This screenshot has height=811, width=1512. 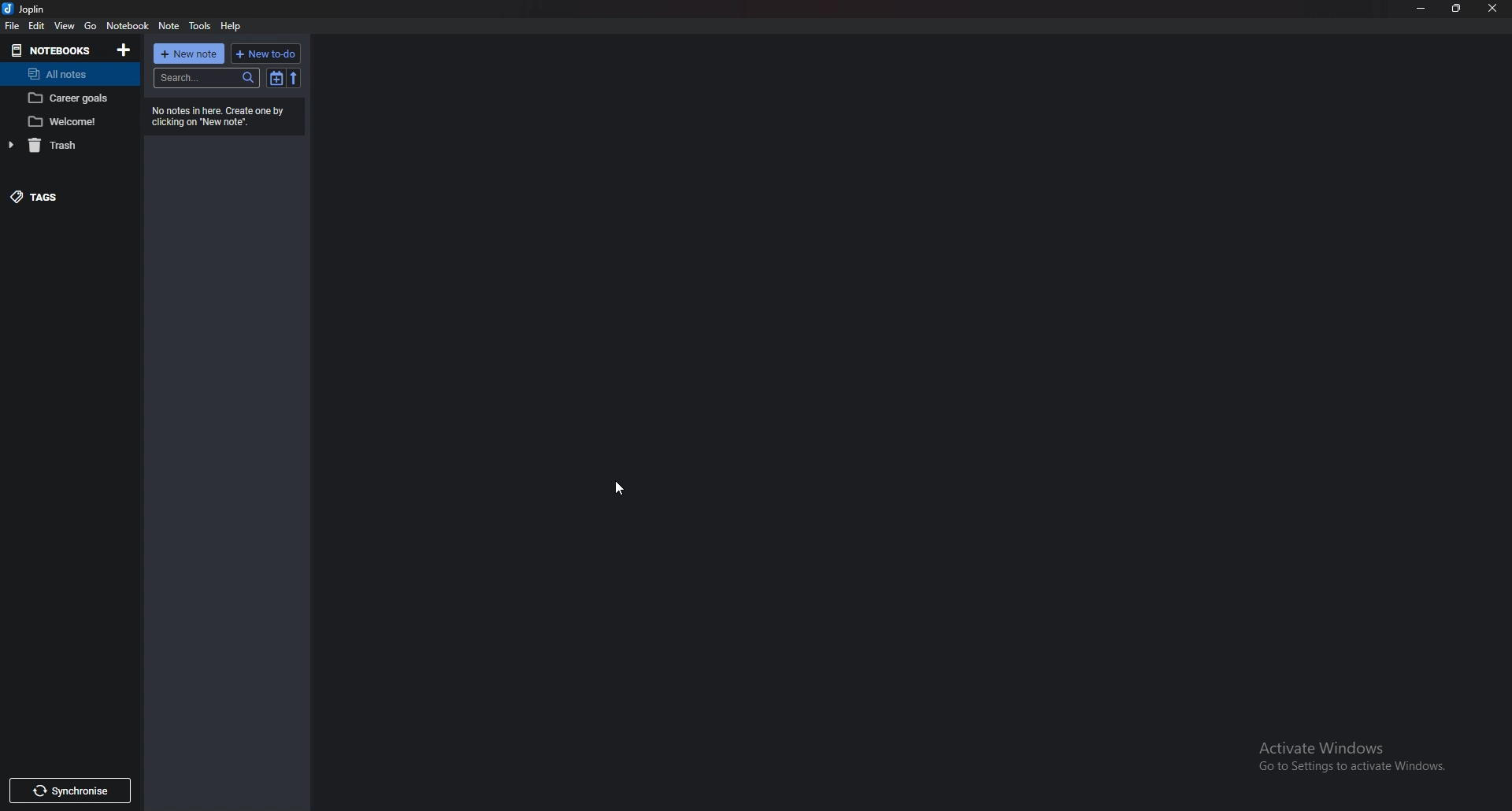 I want to click on tags, so click(x=52, y=196).